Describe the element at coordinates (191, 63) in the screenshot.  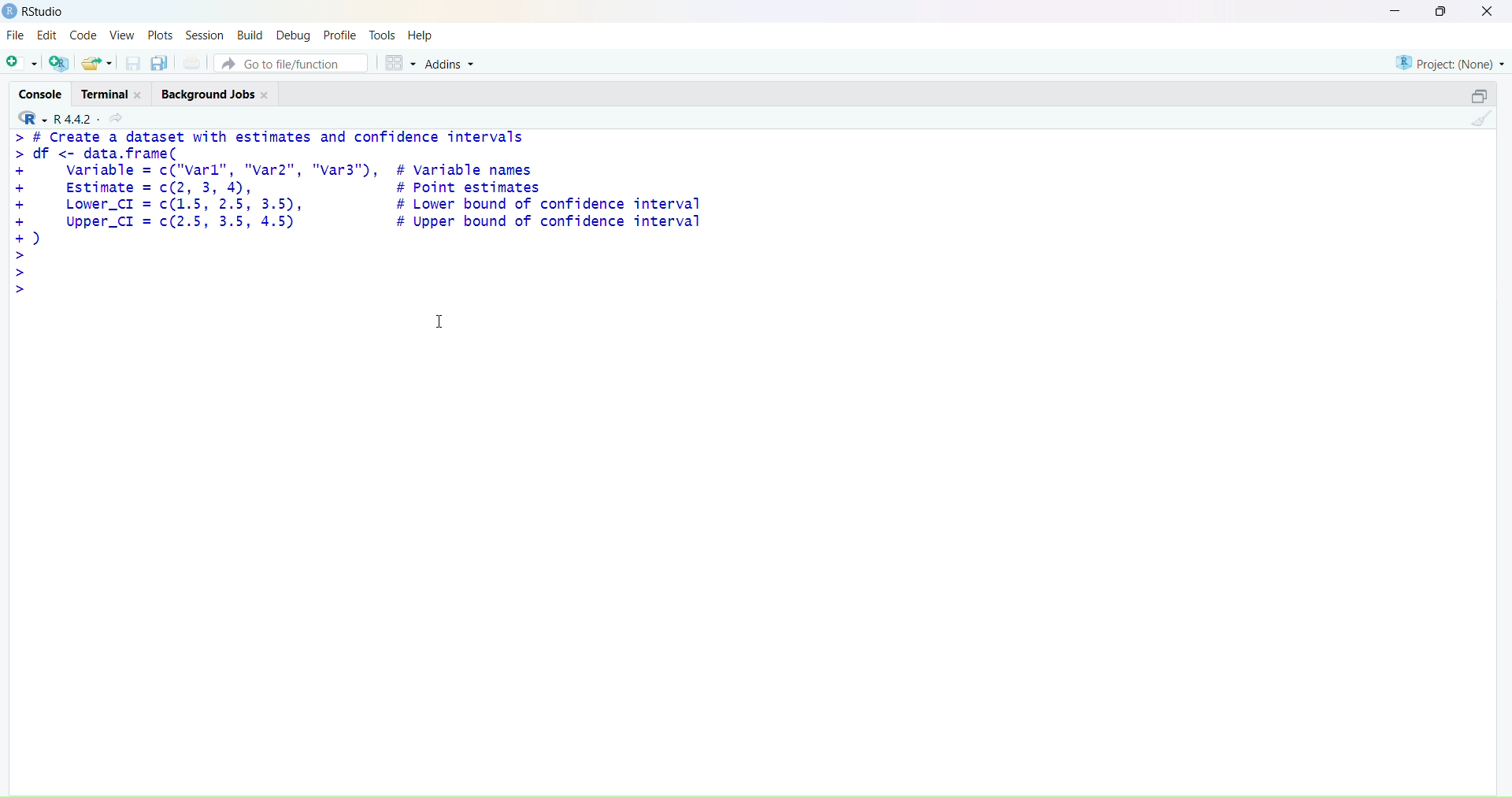
I see `print` at that location.